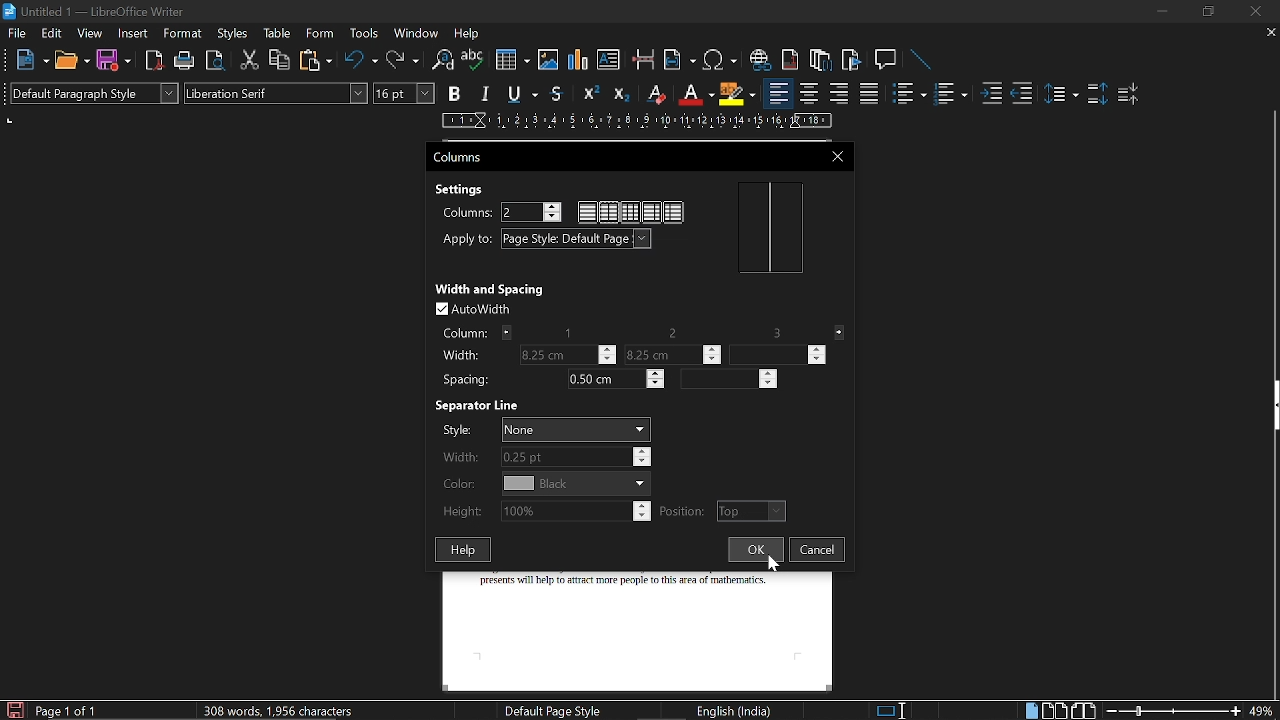 The height and width of the screenshot is (720, 1280). What do you see at coordinates (1085, 709) in the screenshot?
I see `Book view` at bounding box center [1085, 709].